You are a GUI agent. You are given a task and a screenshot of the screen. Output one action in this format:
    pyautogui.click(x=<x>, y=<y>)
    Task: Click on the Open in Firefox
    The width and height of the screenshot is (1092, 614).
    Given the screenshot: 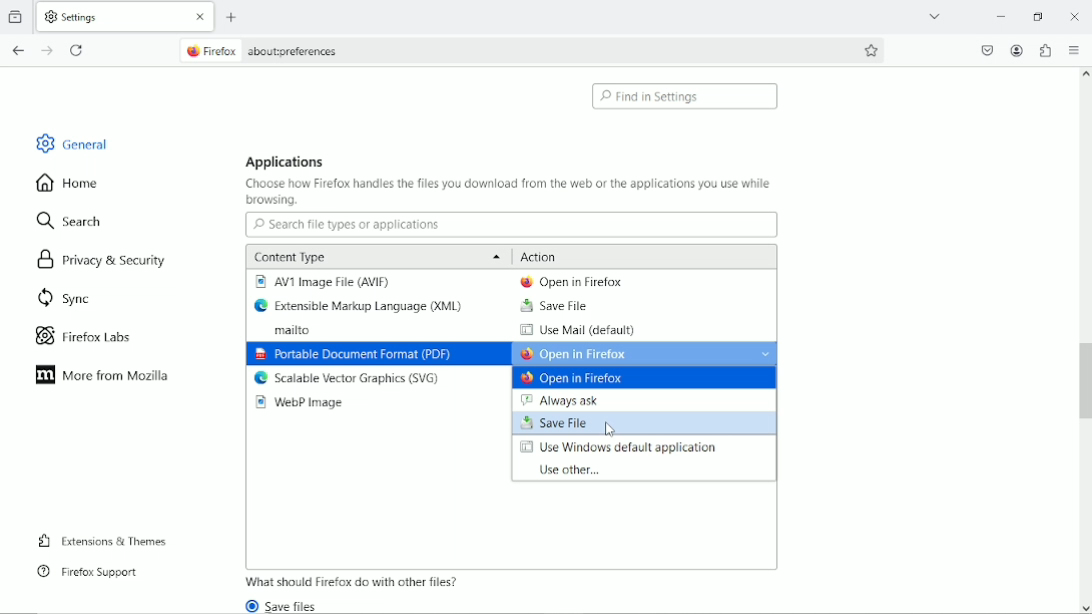 What is the action you would take?
    pyautogui.click(x=646, y=353)
    